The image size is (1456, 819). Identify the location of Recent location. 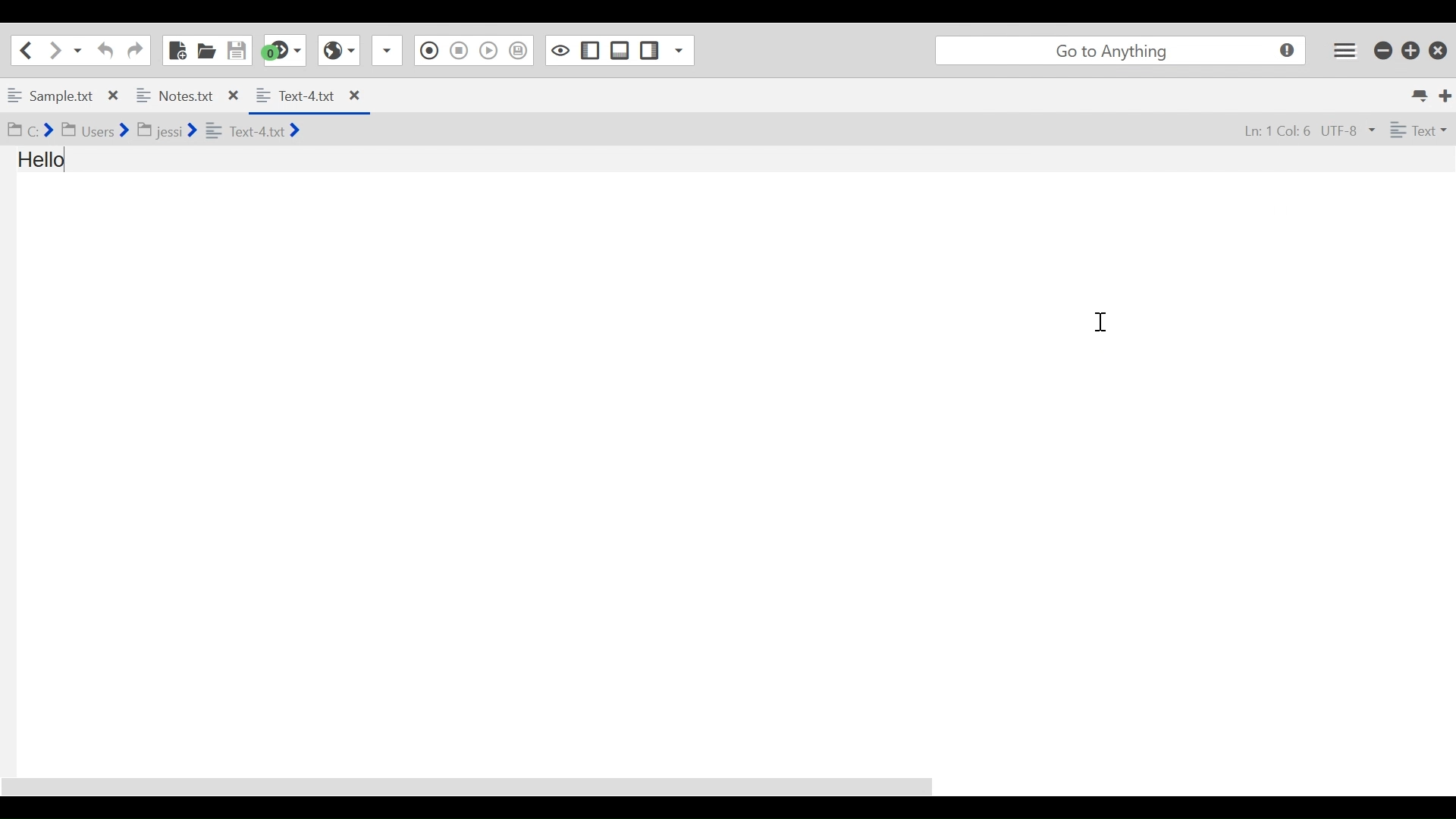
(76, 51).